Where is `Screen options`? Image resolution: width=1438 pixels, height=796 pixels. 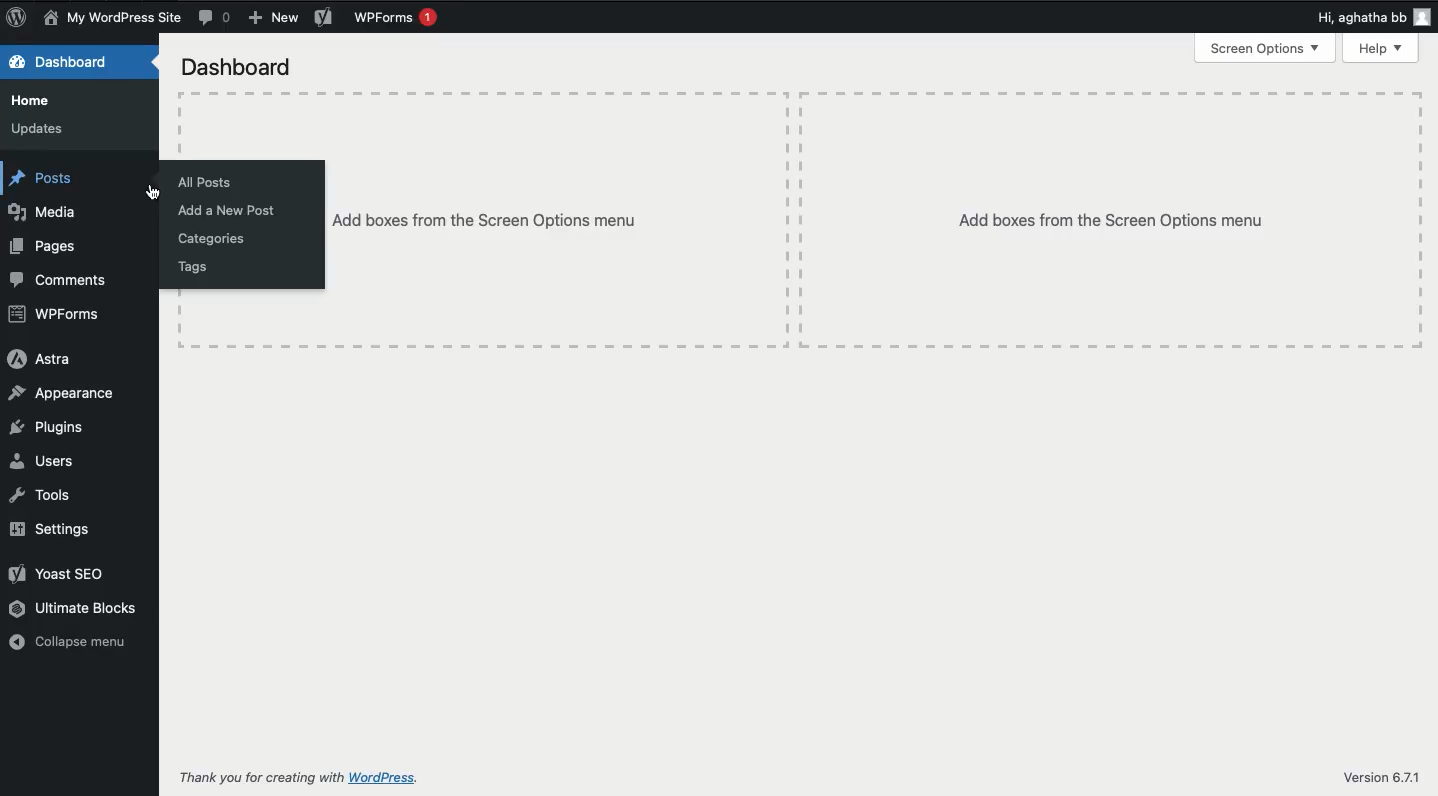
Screen options is located at coordinates (1268, 48).